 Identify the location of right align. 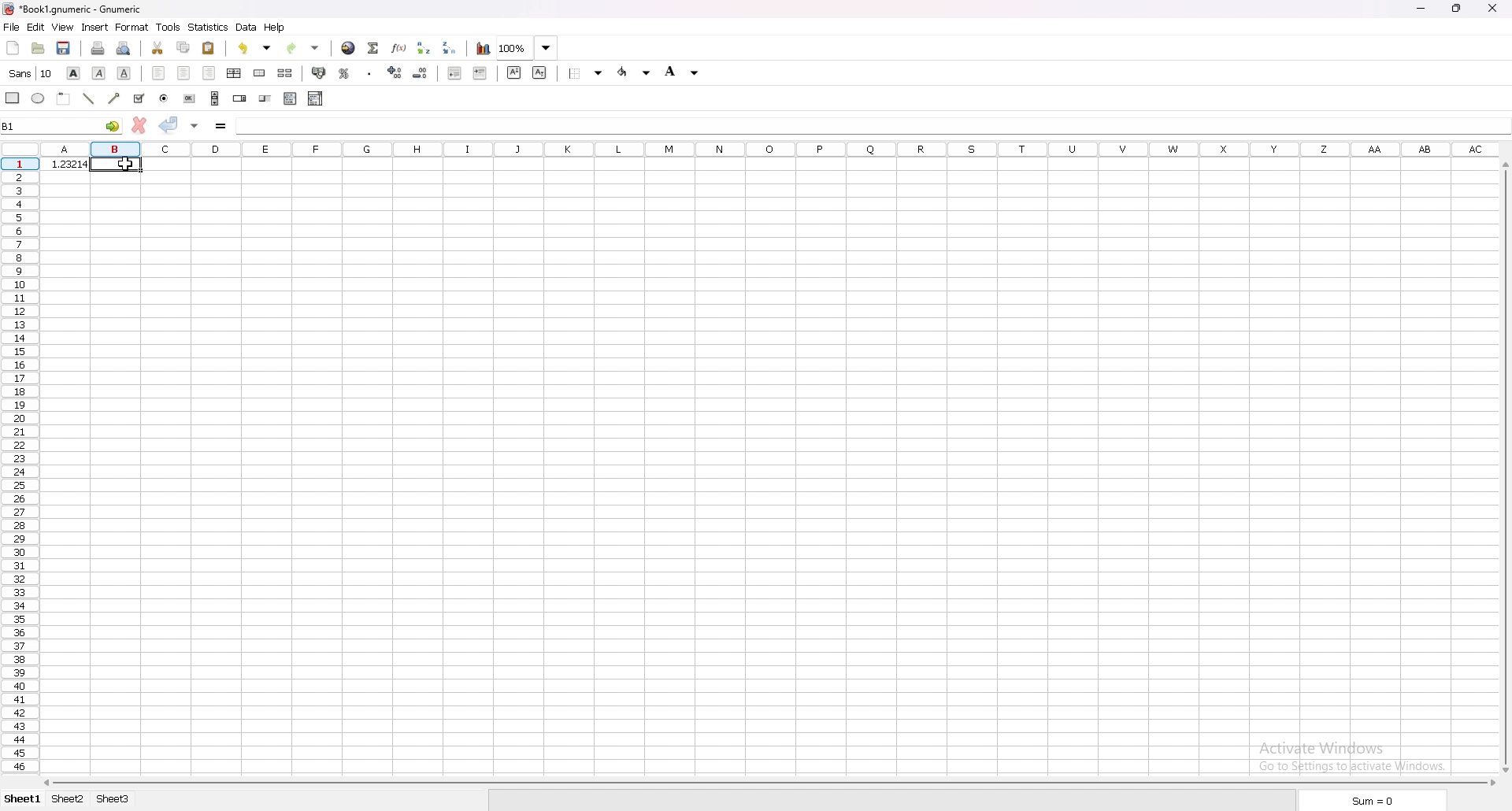
(209, 73).